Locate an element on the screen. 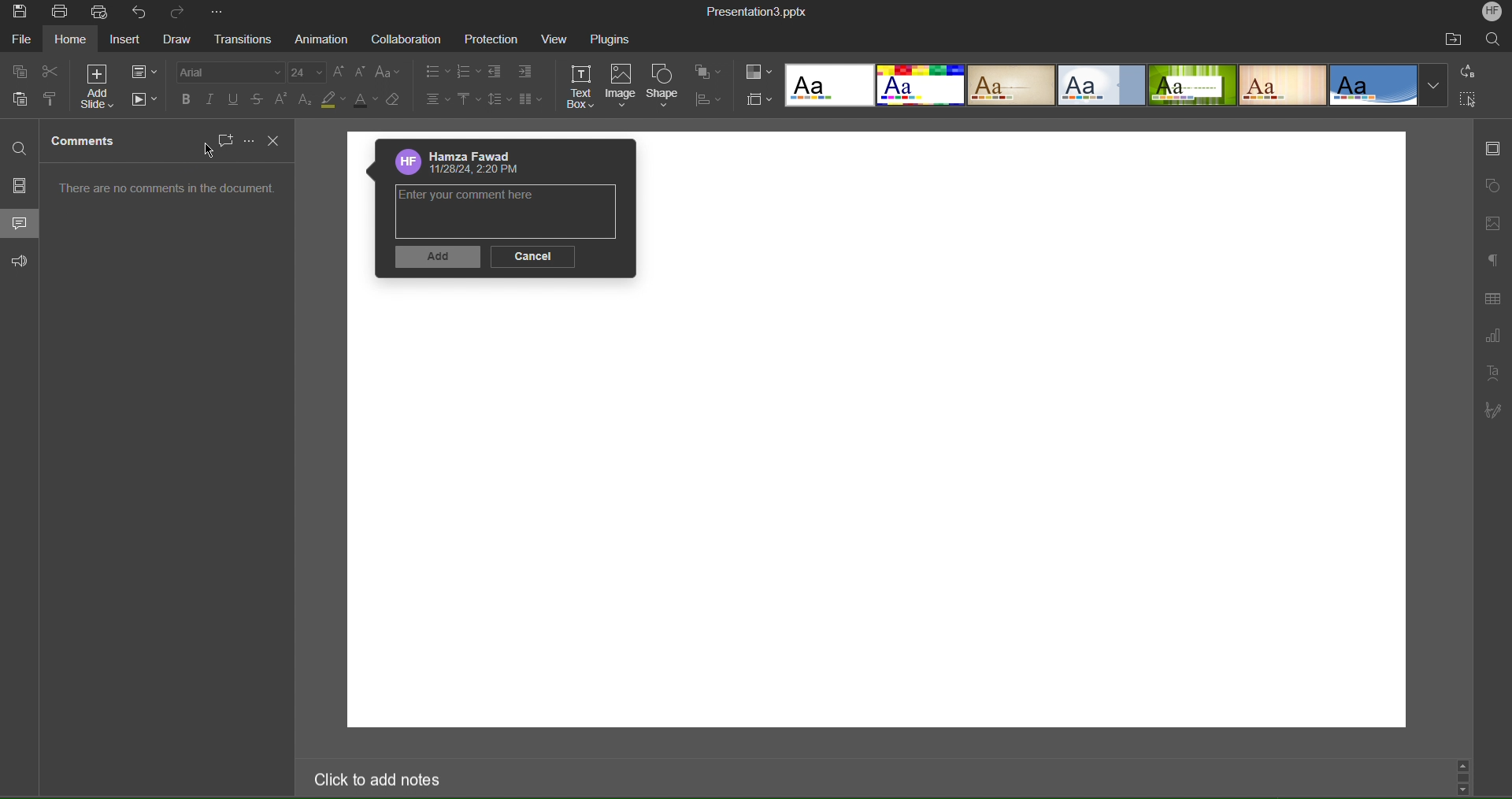 The image size is (1512, 799). Font is located at coordinates (231, 72).